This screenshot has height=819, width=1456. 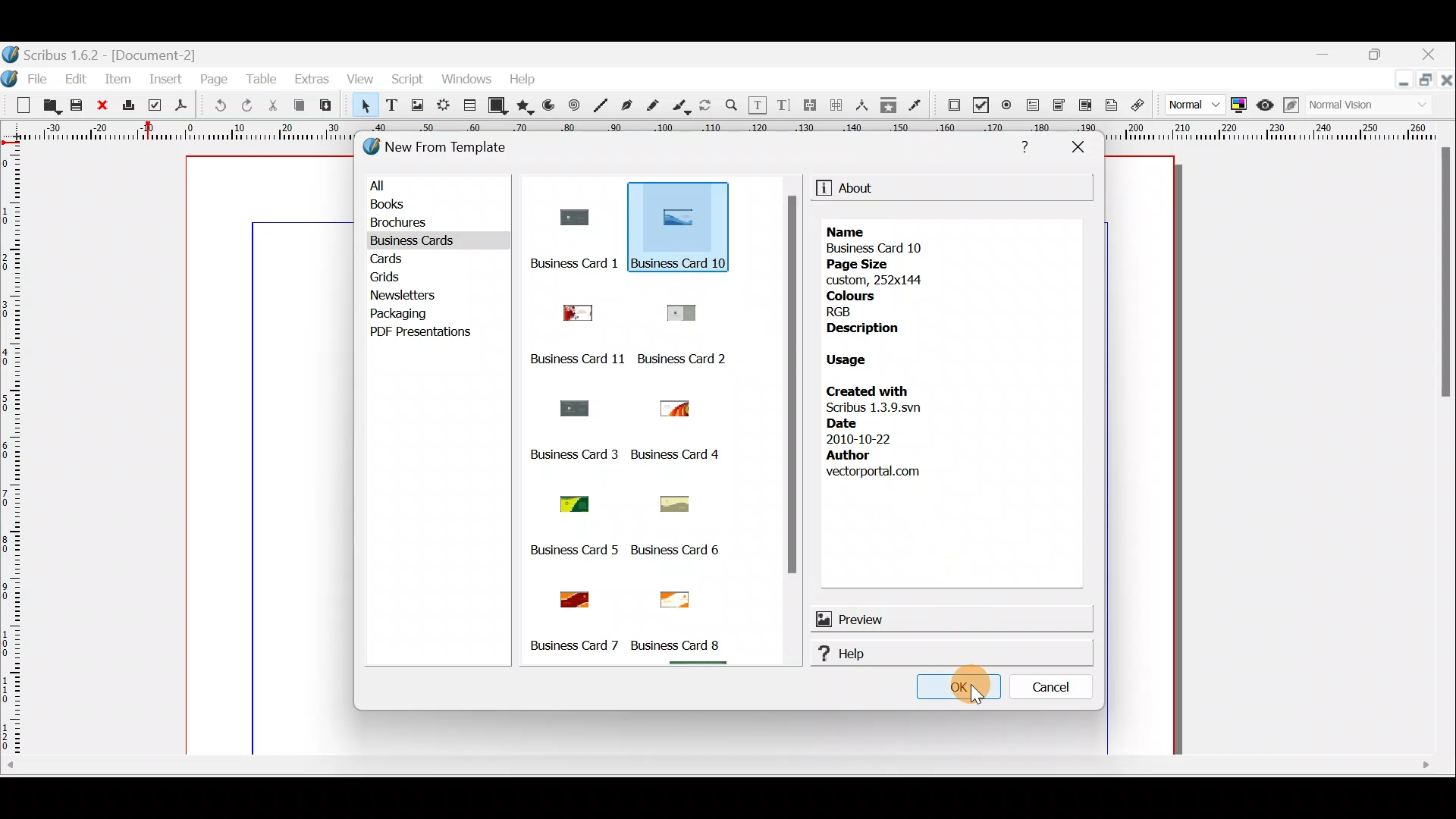 I want to click on Minimise, so click(x=1399, y=86).